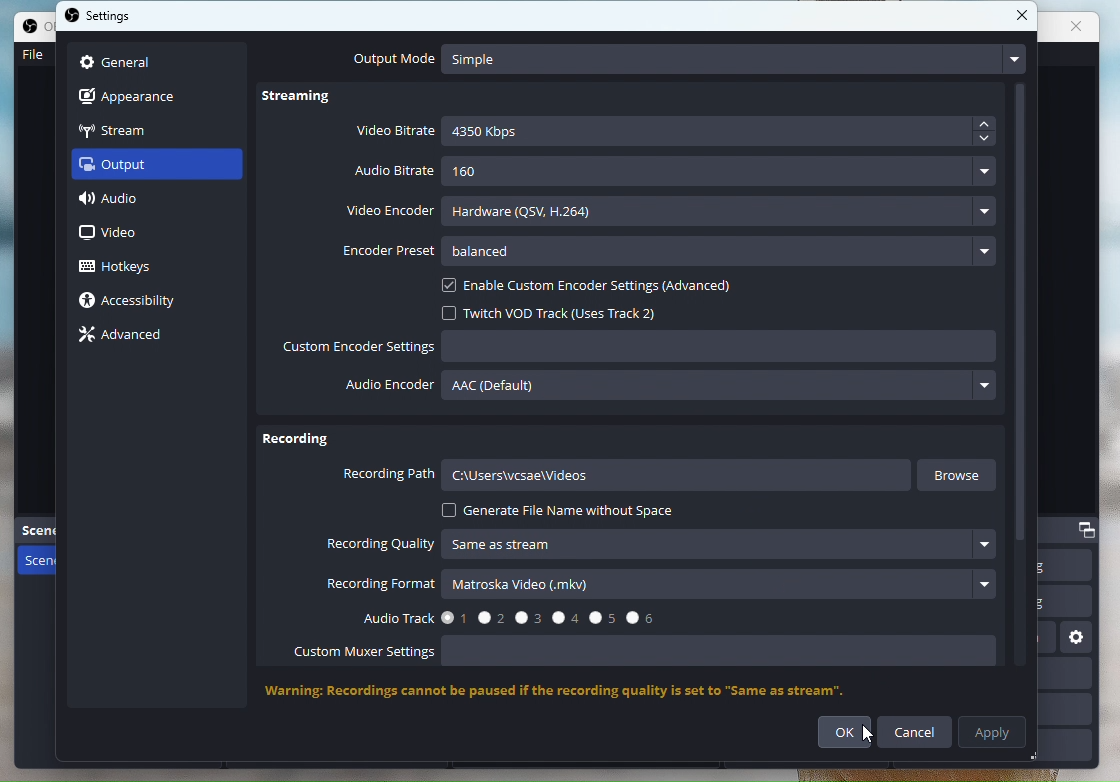 This screenshot has width=1120, height=782. Describe the element at coordinates (576, 692) in the screenshot. I see `Warning` at that location.